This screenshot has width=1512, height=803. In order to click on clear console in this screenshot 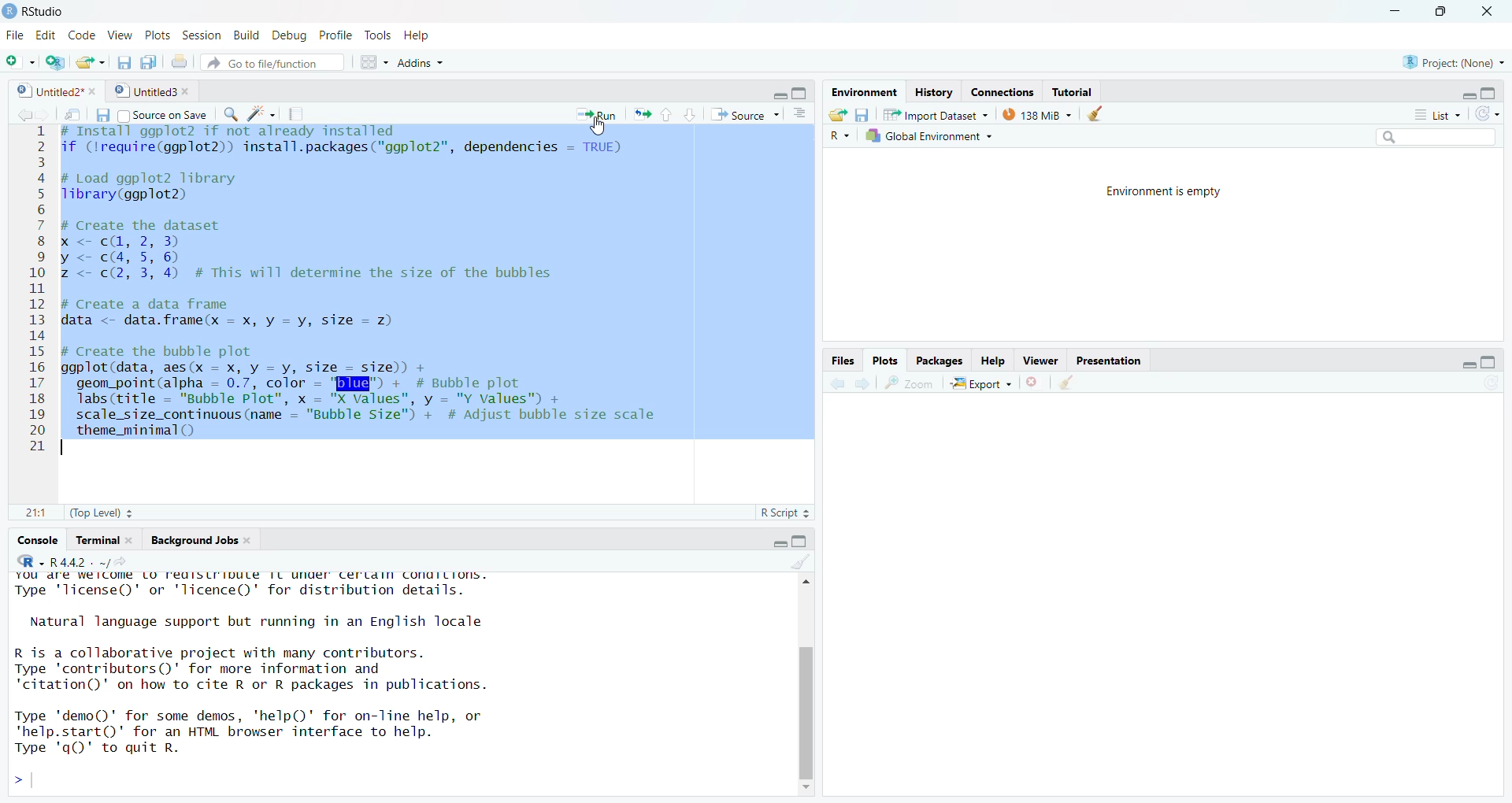, I will do `click(791, 562)`.